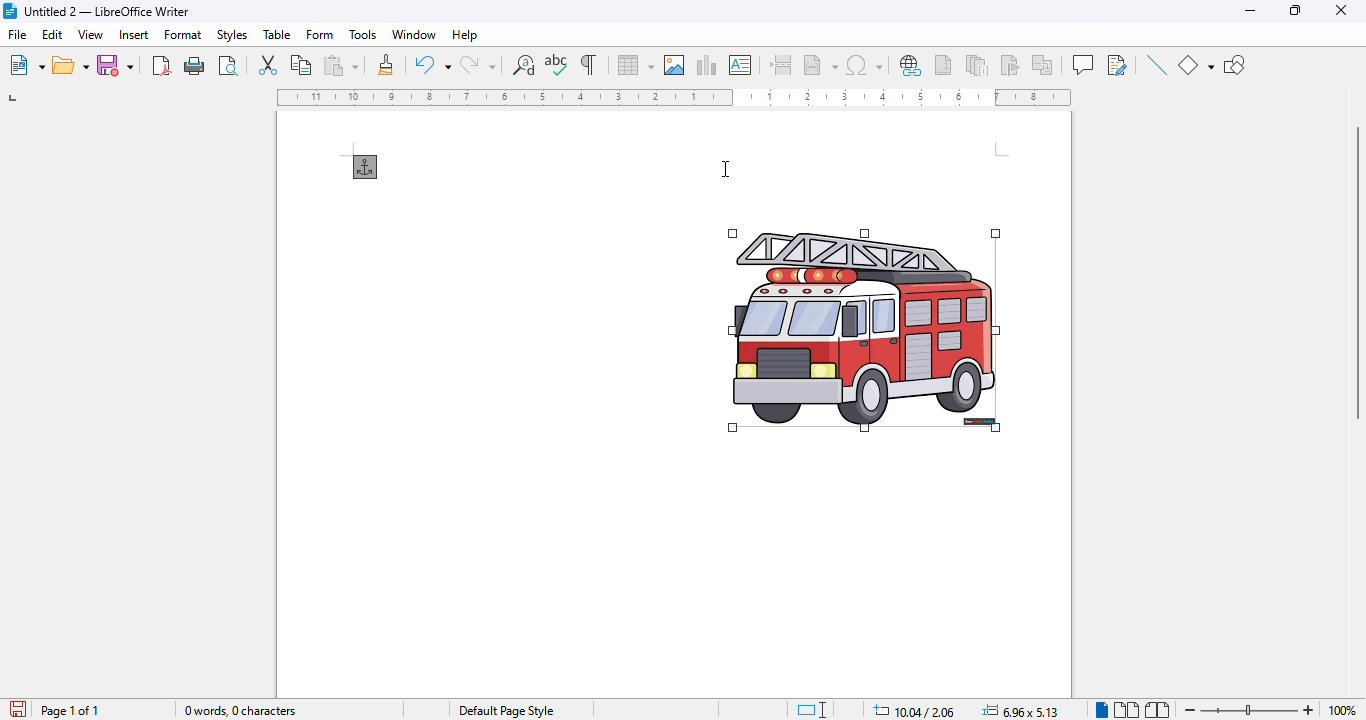 Image resolution: width=1366 pixels, height=720 pixels. Describe the element at coordinates (386, 64) in the screenshot. I see `clone formatting` at that location.